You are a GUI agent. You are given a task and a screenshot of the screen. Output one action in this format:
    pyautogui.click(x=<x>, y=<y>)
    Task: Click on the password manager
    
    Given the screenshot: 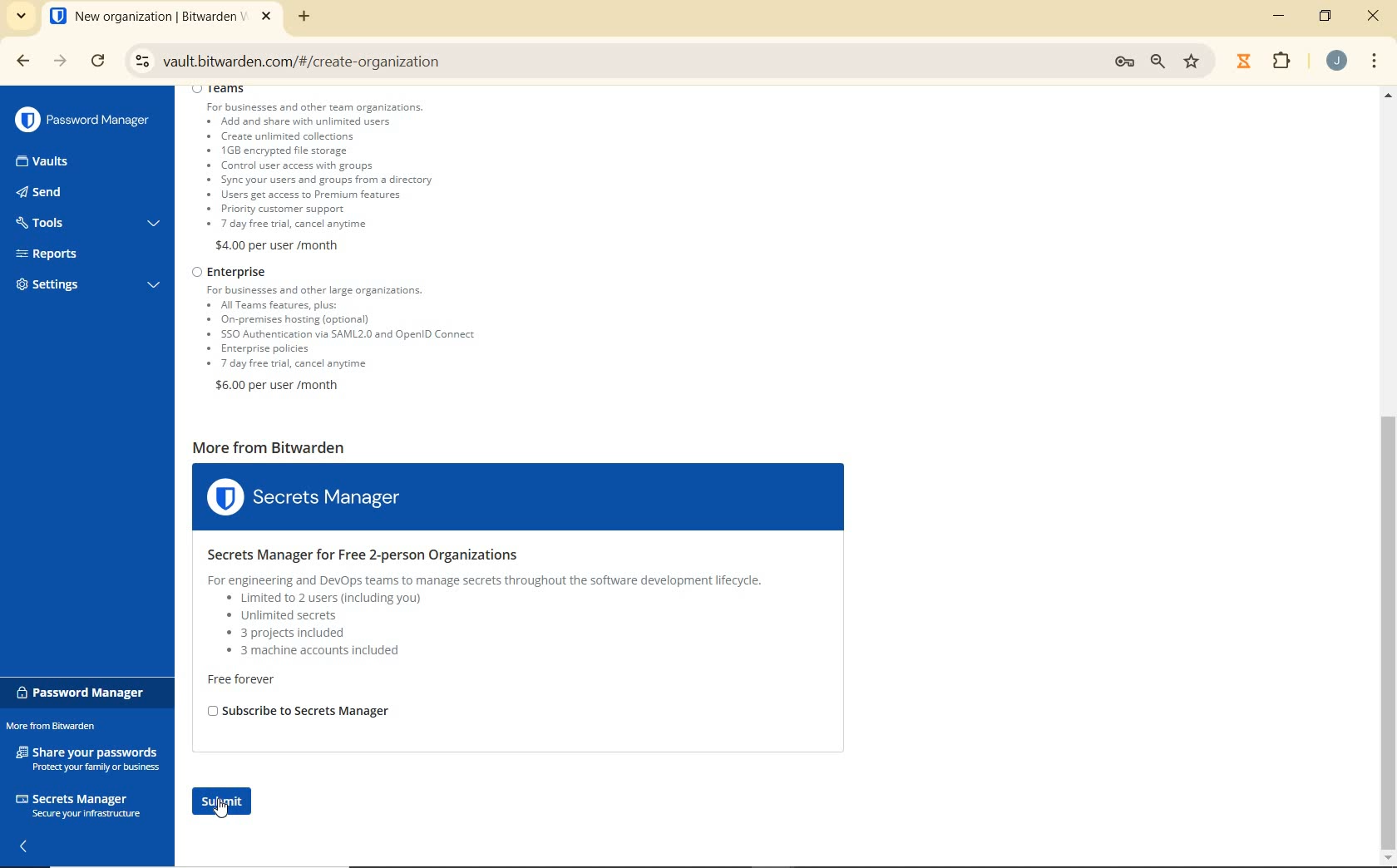 What is the action you would take?
    pyautogui.click(x=84, y=693)
    